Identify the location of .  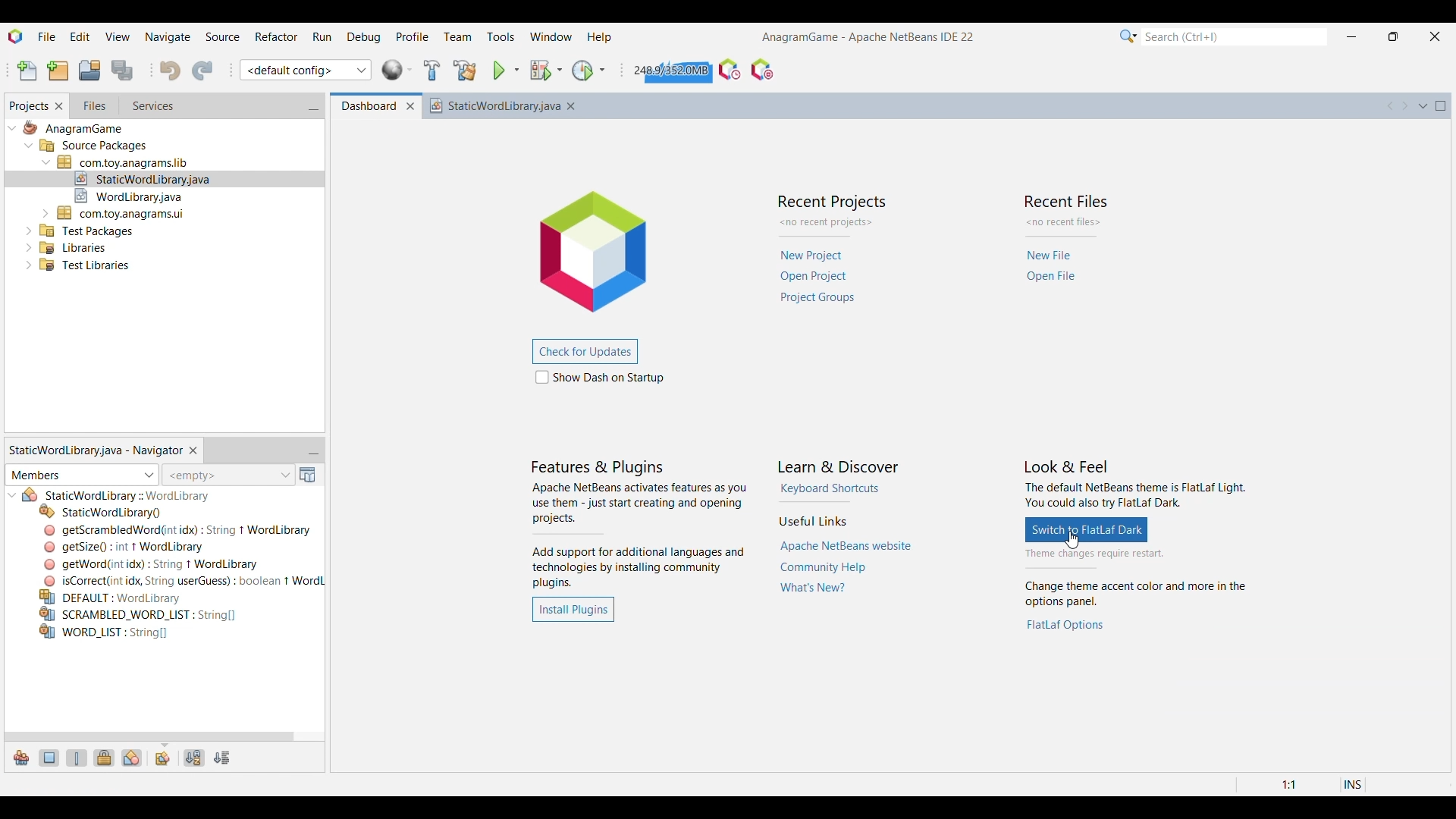
(181, 580).